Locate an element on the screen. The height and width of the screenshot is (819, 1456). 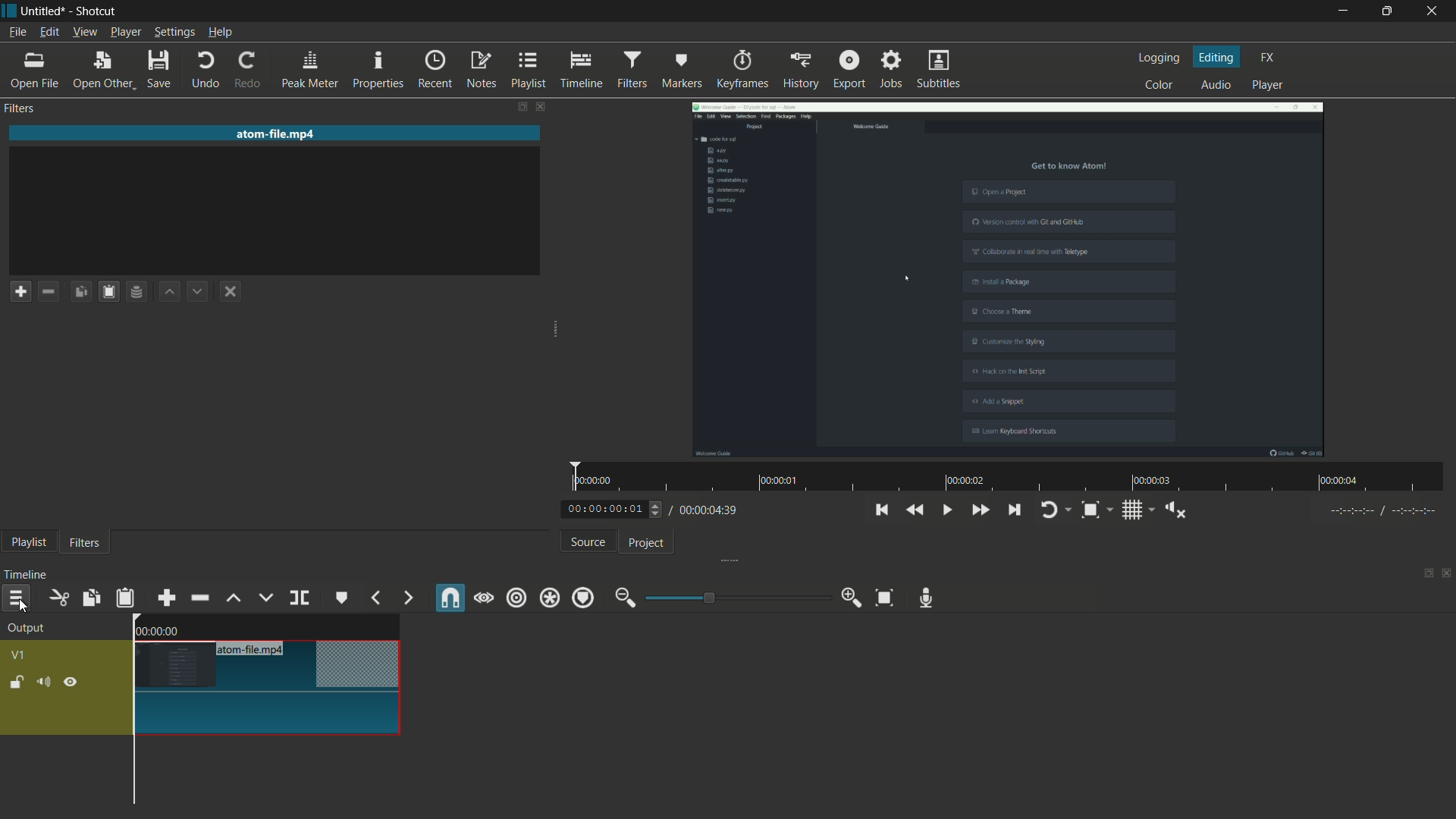
overwrite is located at coordinates (265, 597).